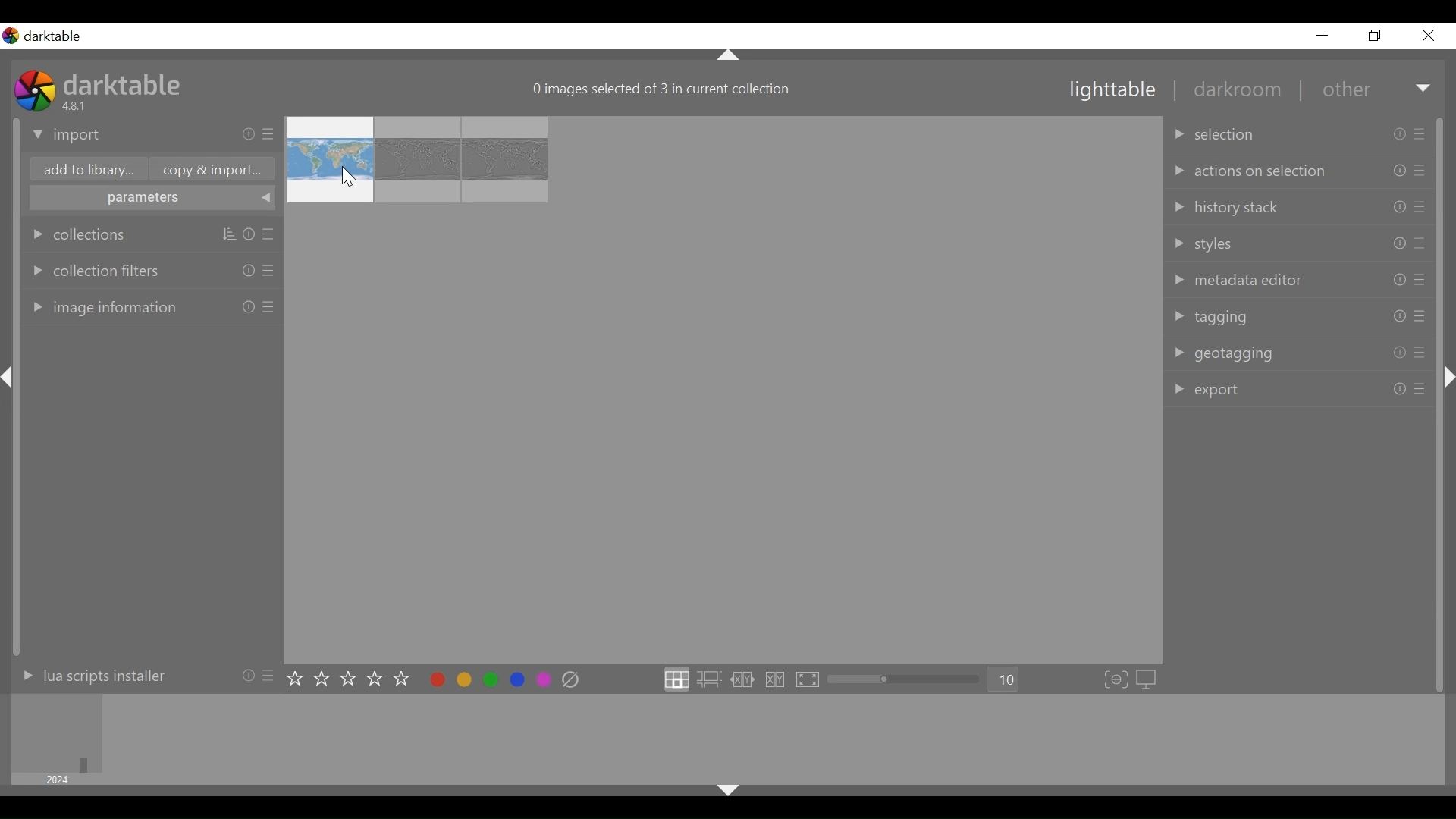  I want to click on zoom, so click(908, 679).